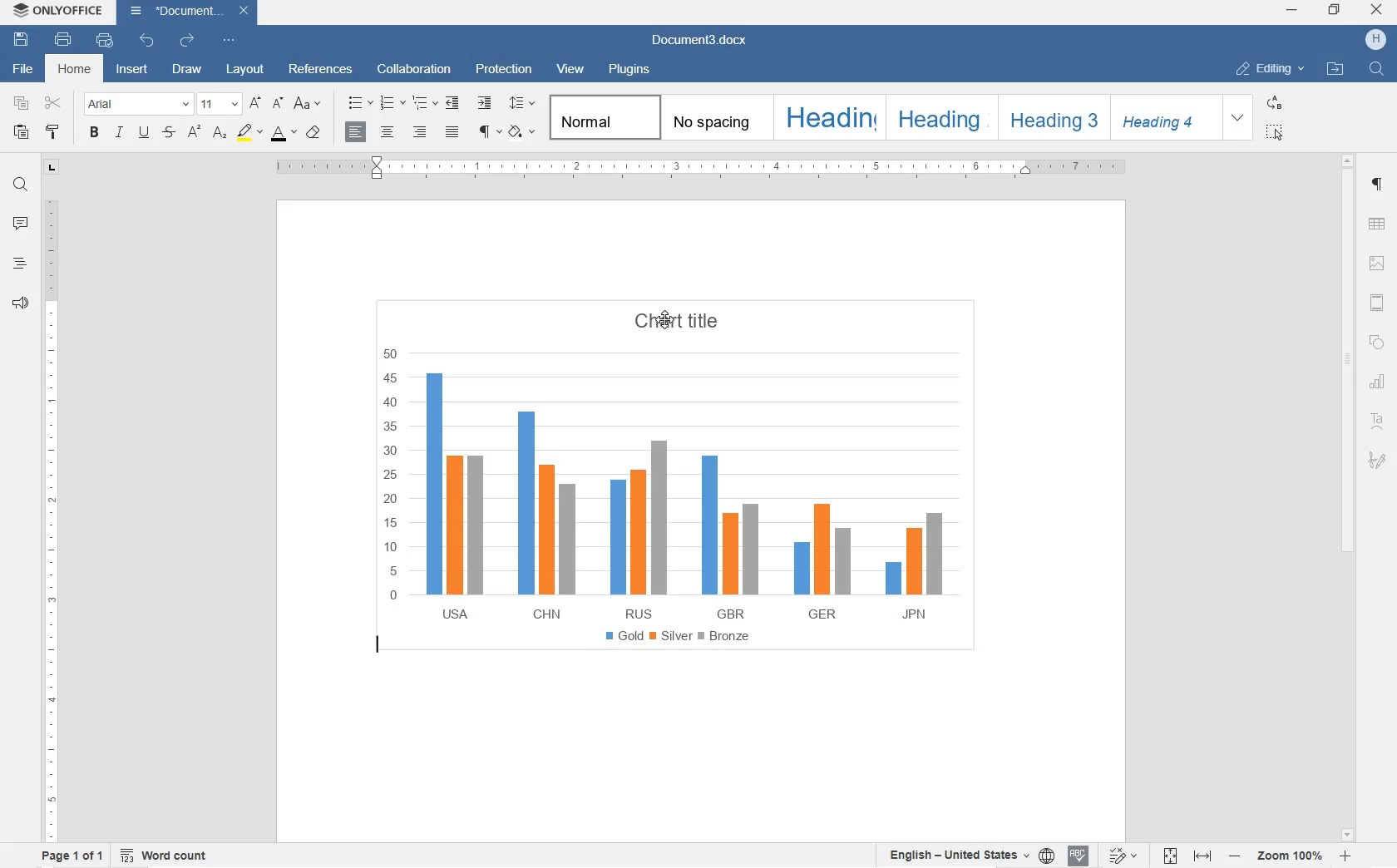 The height and width of the screenshot is (868, 1397). I want to click on MULTILEVEL LISTS, so click(425, 104).